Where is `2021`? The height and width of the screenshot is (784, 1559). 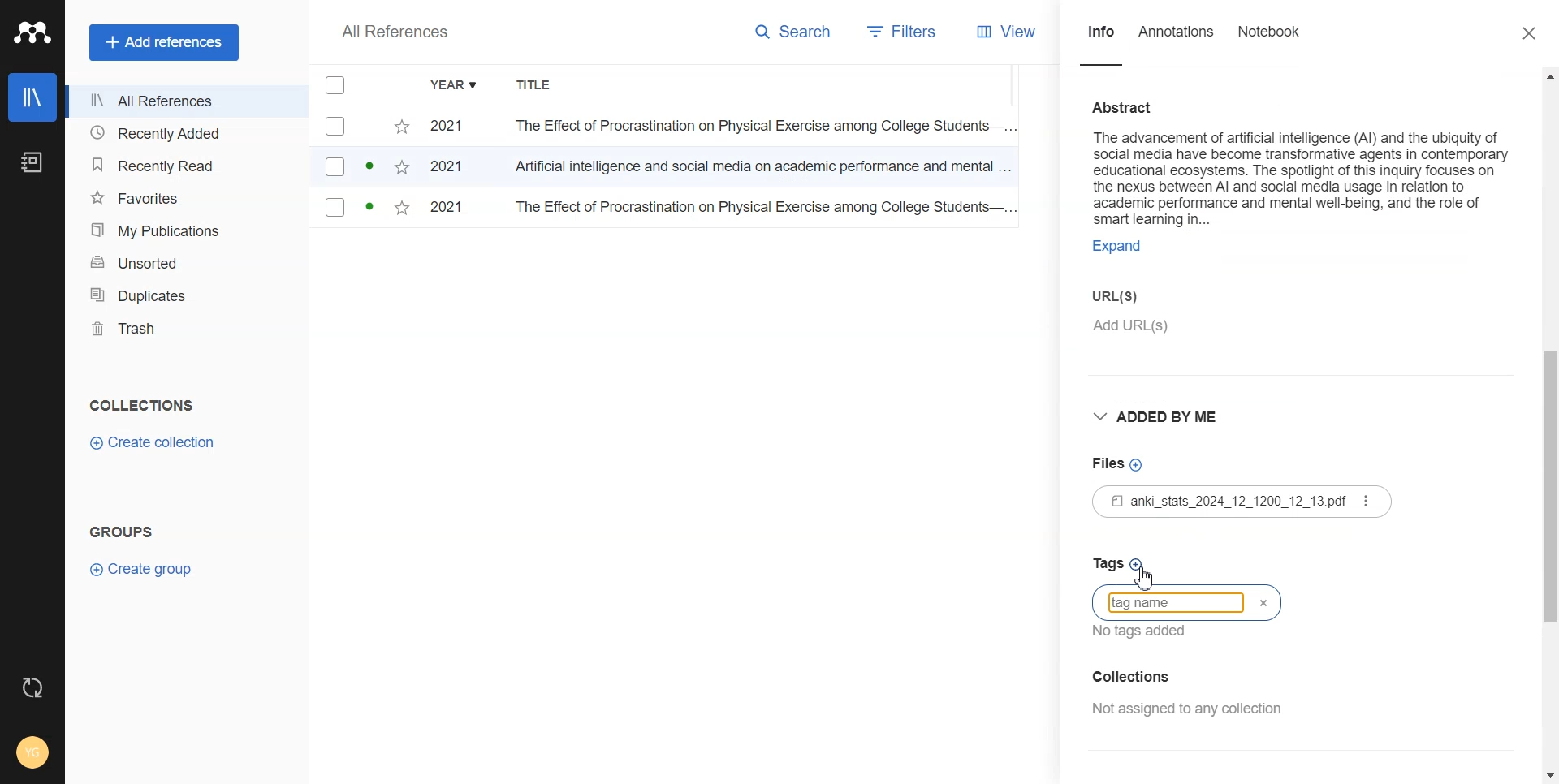
2021 is located at coordinates (453, 209).